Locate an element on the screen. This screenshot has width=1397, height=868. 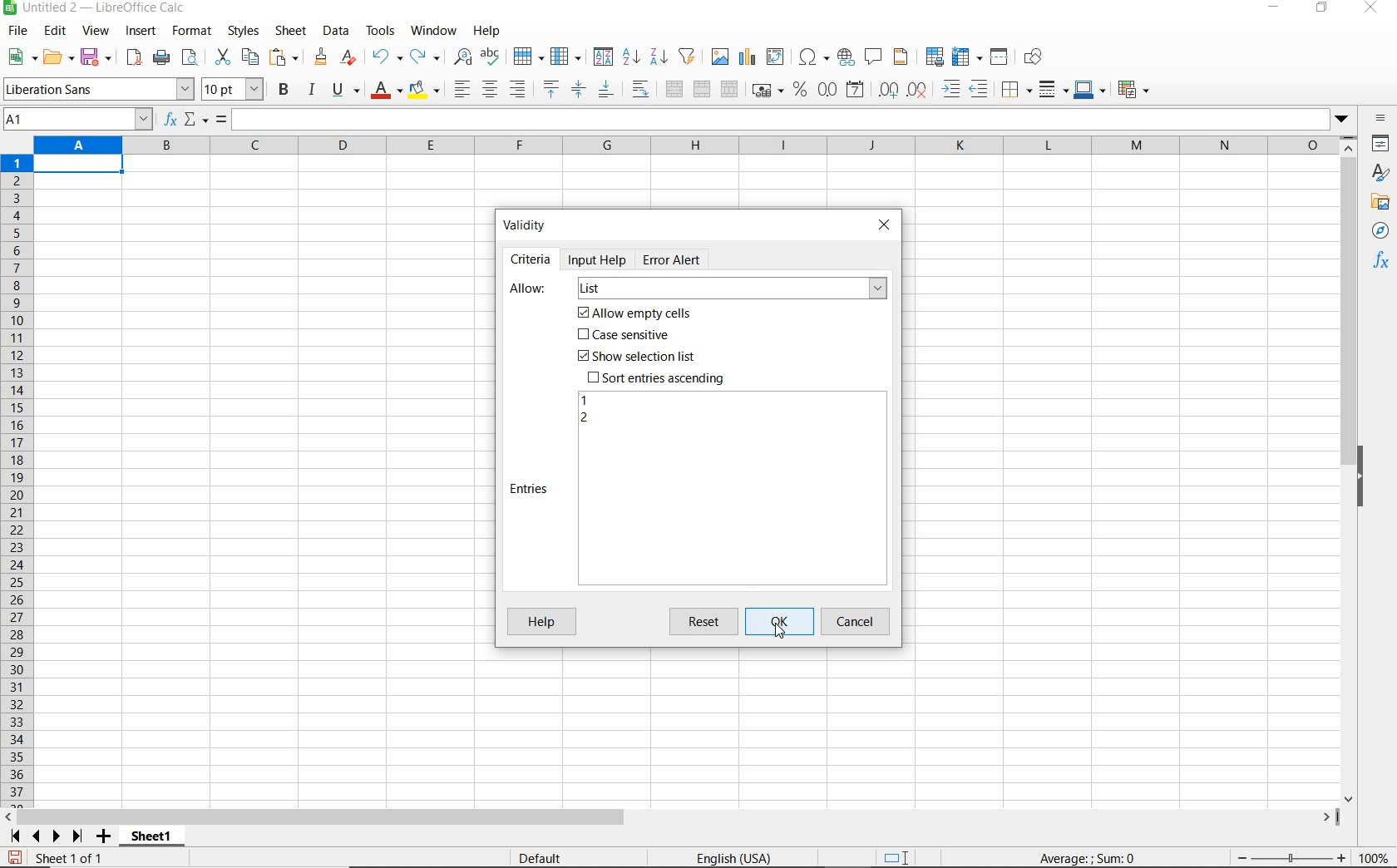
show draw functions is located at coordinates (1036, 57).